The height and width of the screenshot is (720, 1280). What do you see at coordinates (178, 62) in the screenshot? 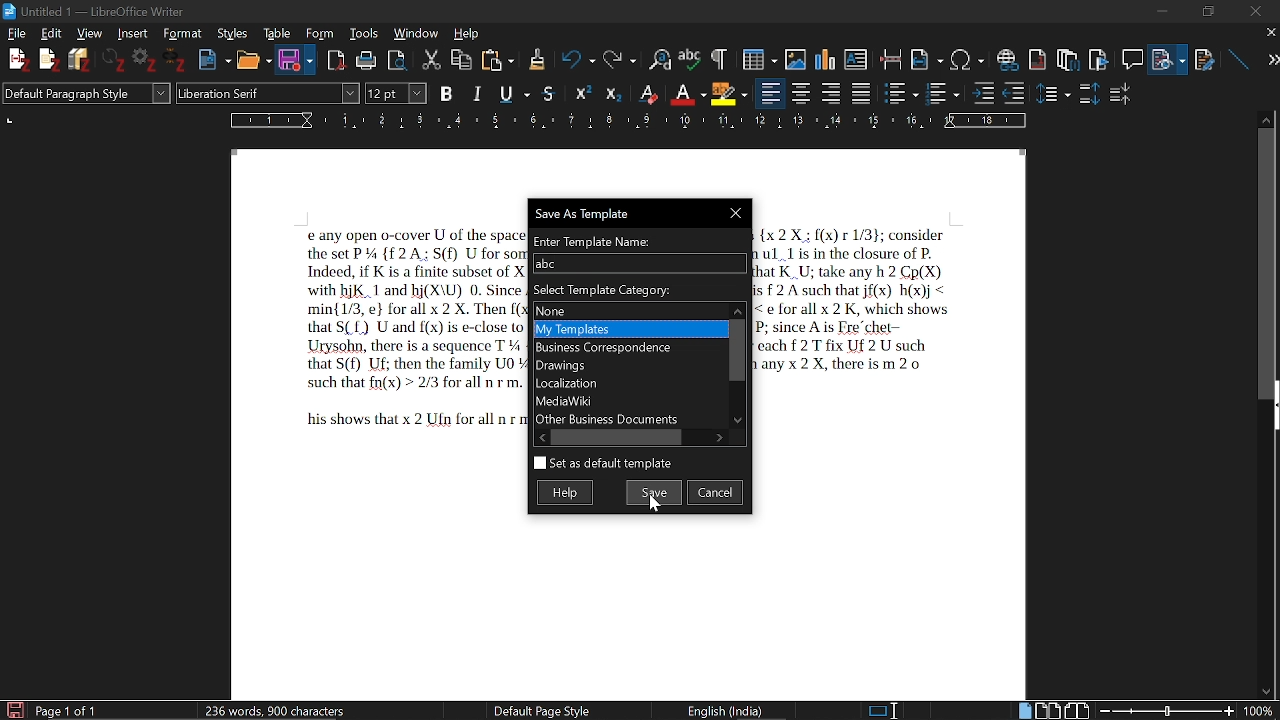
I see `` at bounding box center [178, 62].